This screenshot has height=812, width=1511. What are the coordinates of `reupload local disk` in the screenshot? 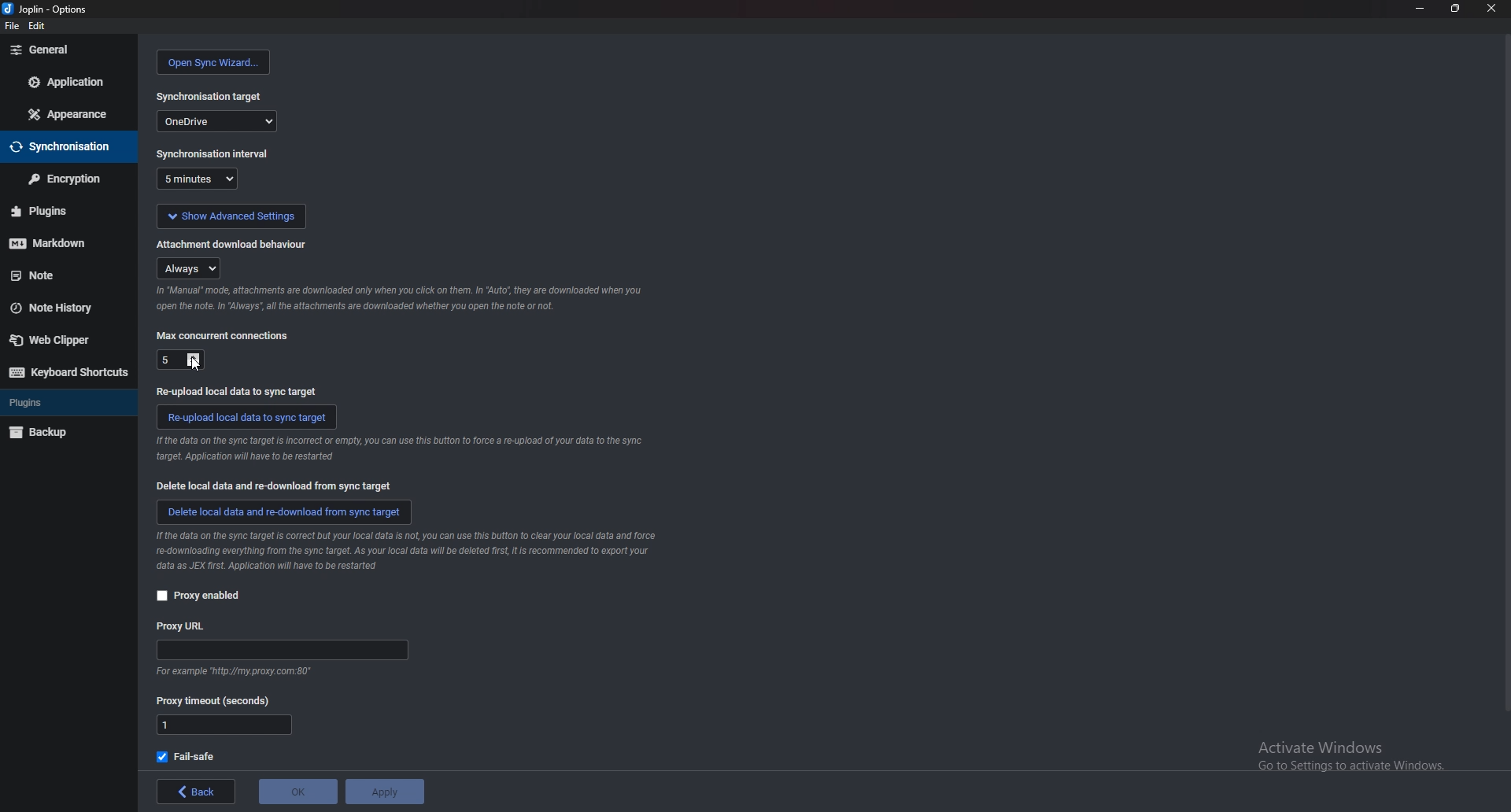 It's located at (239, 392).